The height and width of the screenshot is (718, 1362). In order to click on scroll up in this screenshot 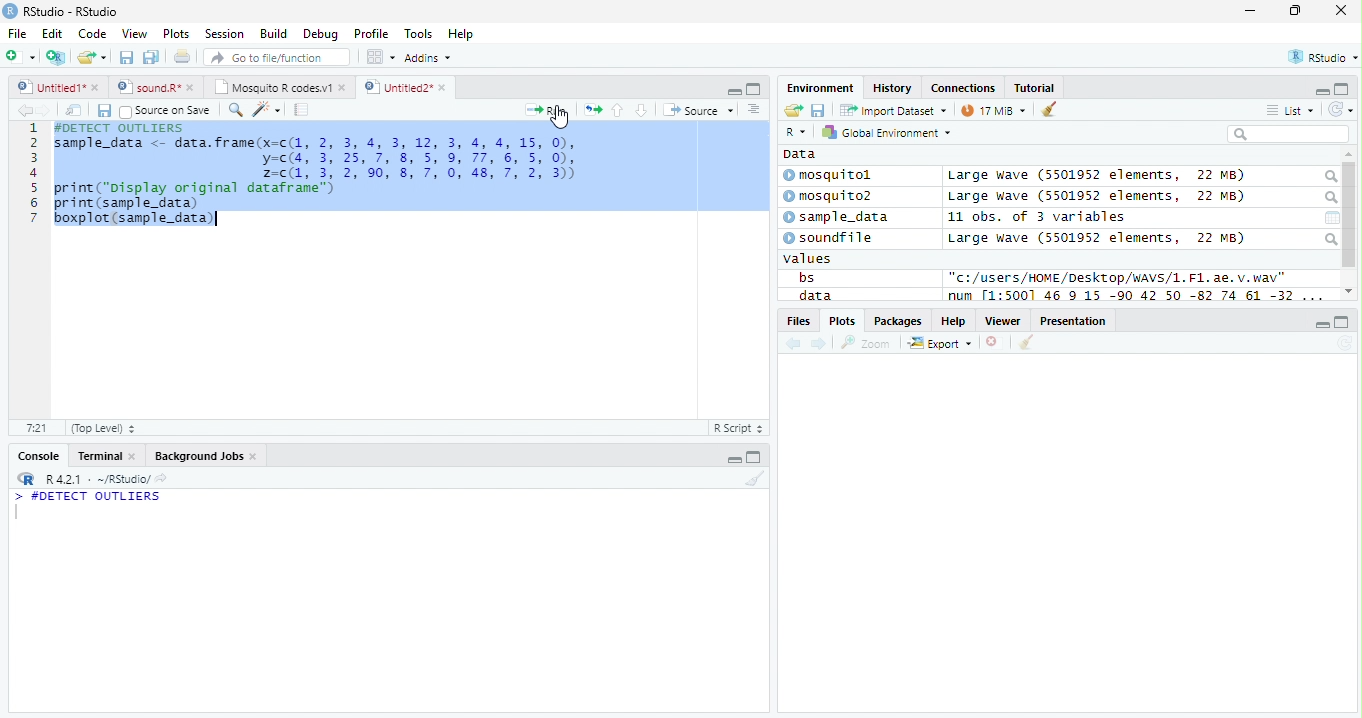, I will do `click(1349, 155)`.